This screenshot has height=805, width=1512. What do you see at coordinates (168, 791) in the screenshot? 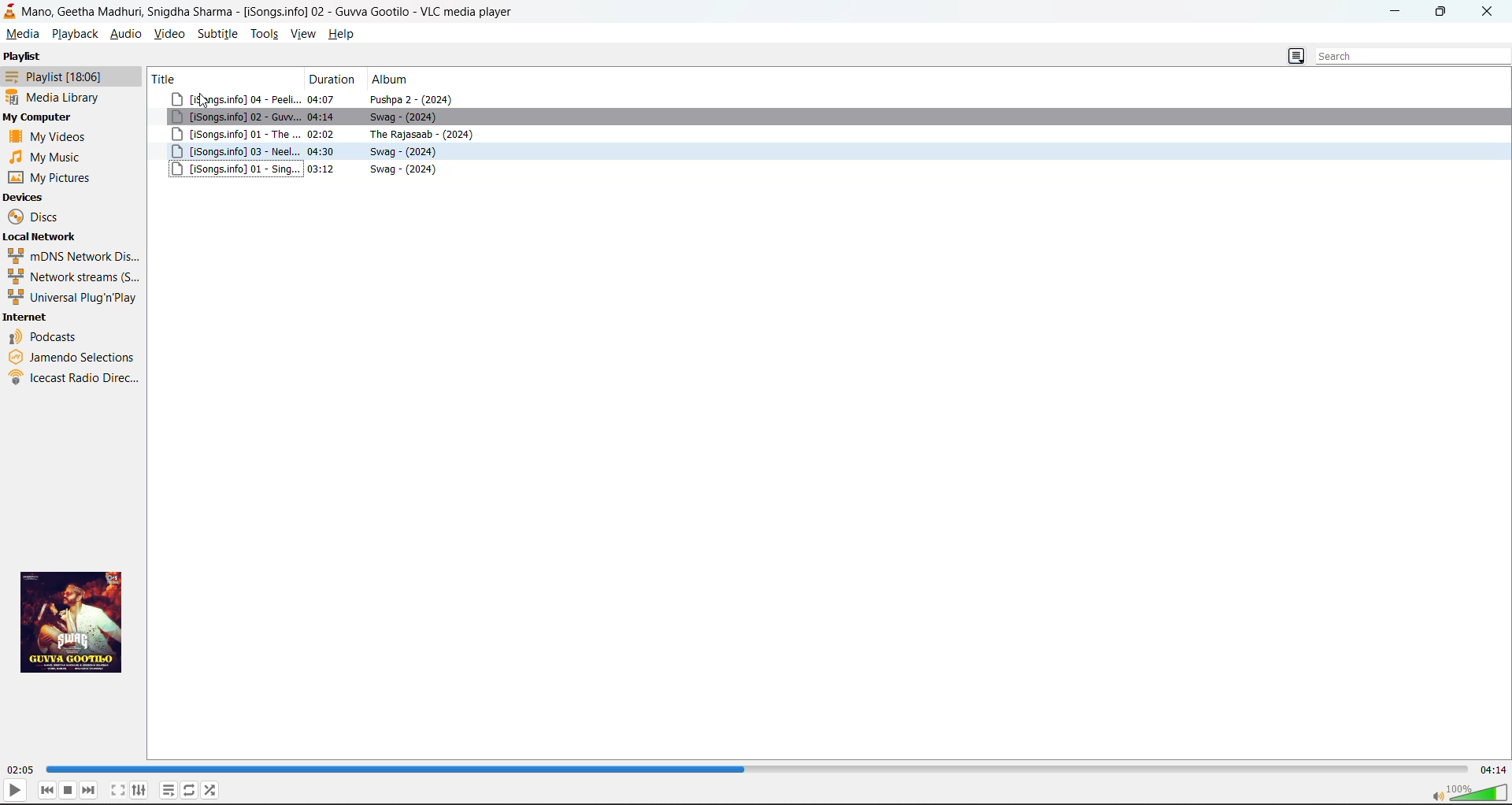
I see `toggle playlist` at bounding box center [168, 791].